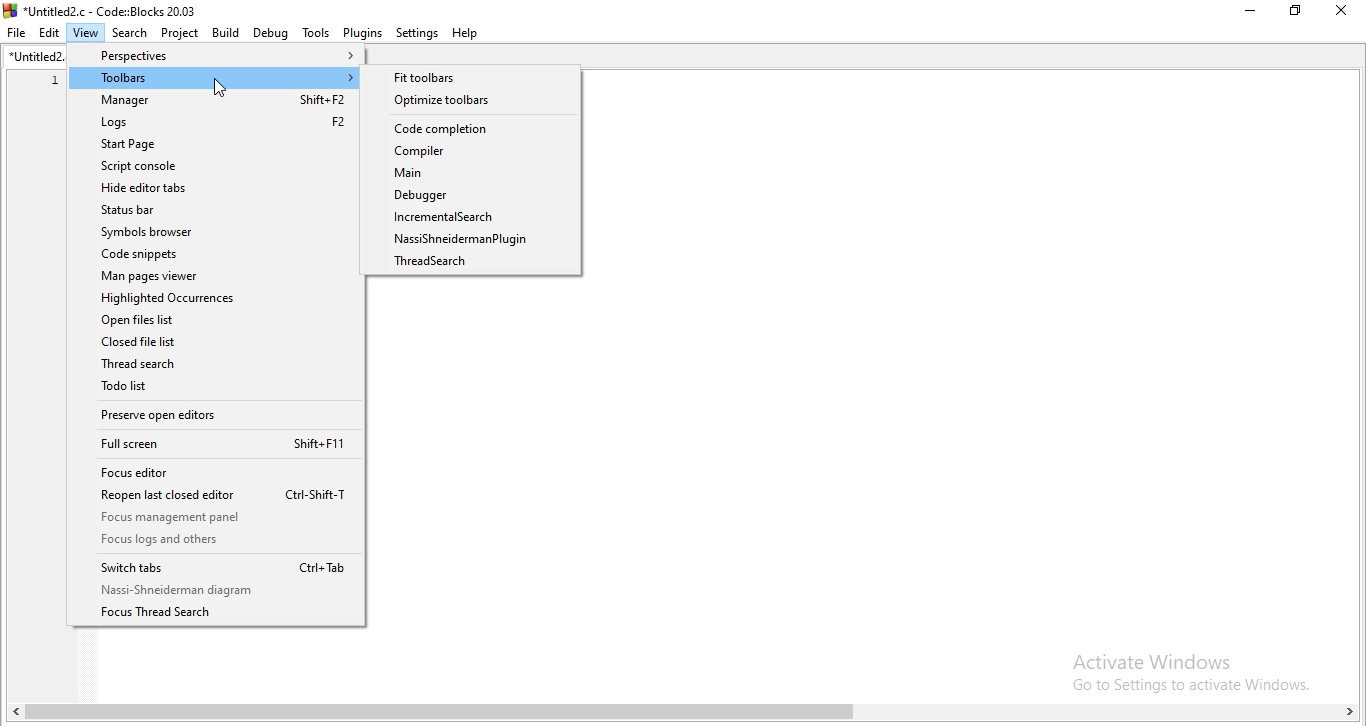 This screenshot has width=1366, height=726. What do you see at coordinates (209, 79) in the screenshot?
I see `Toolbars` at bounding box center [209, 79].